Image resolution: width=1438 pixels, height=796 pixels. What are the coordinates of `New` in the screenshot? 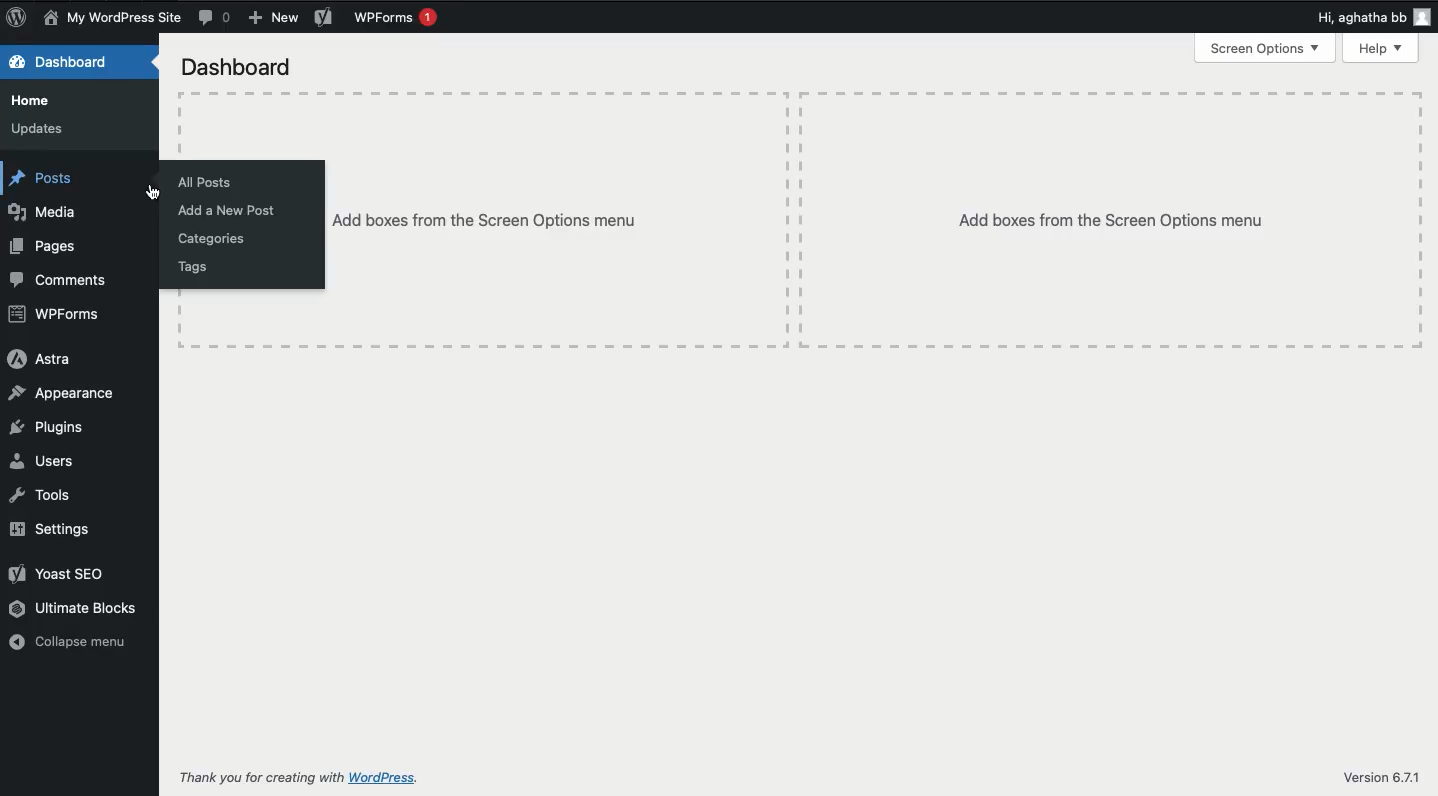 It's located at (276, 18).